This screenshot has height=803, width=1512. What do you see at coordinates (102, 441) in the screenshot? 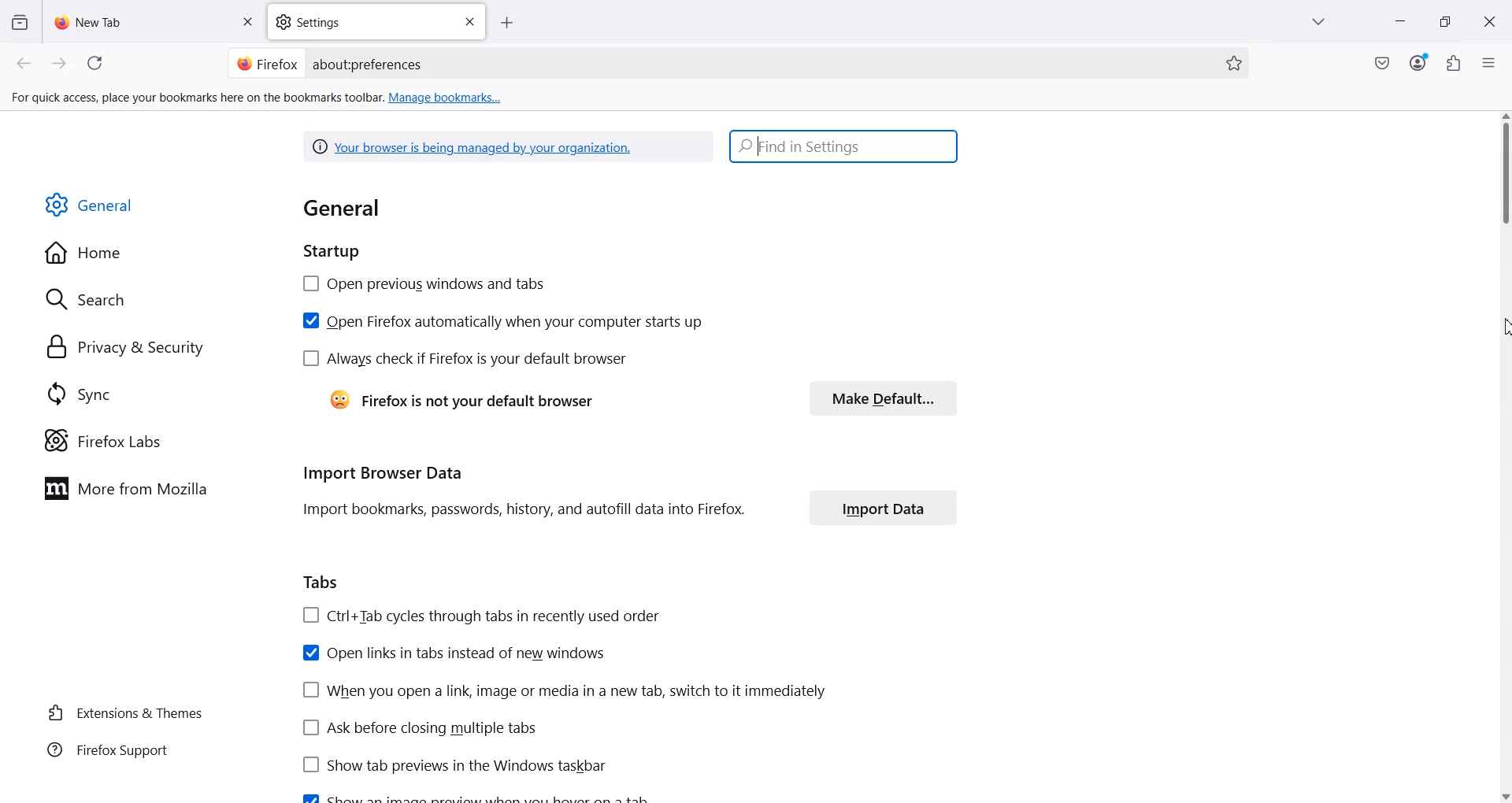
I see `Firefox Labs` at bounding box center [102, 441].